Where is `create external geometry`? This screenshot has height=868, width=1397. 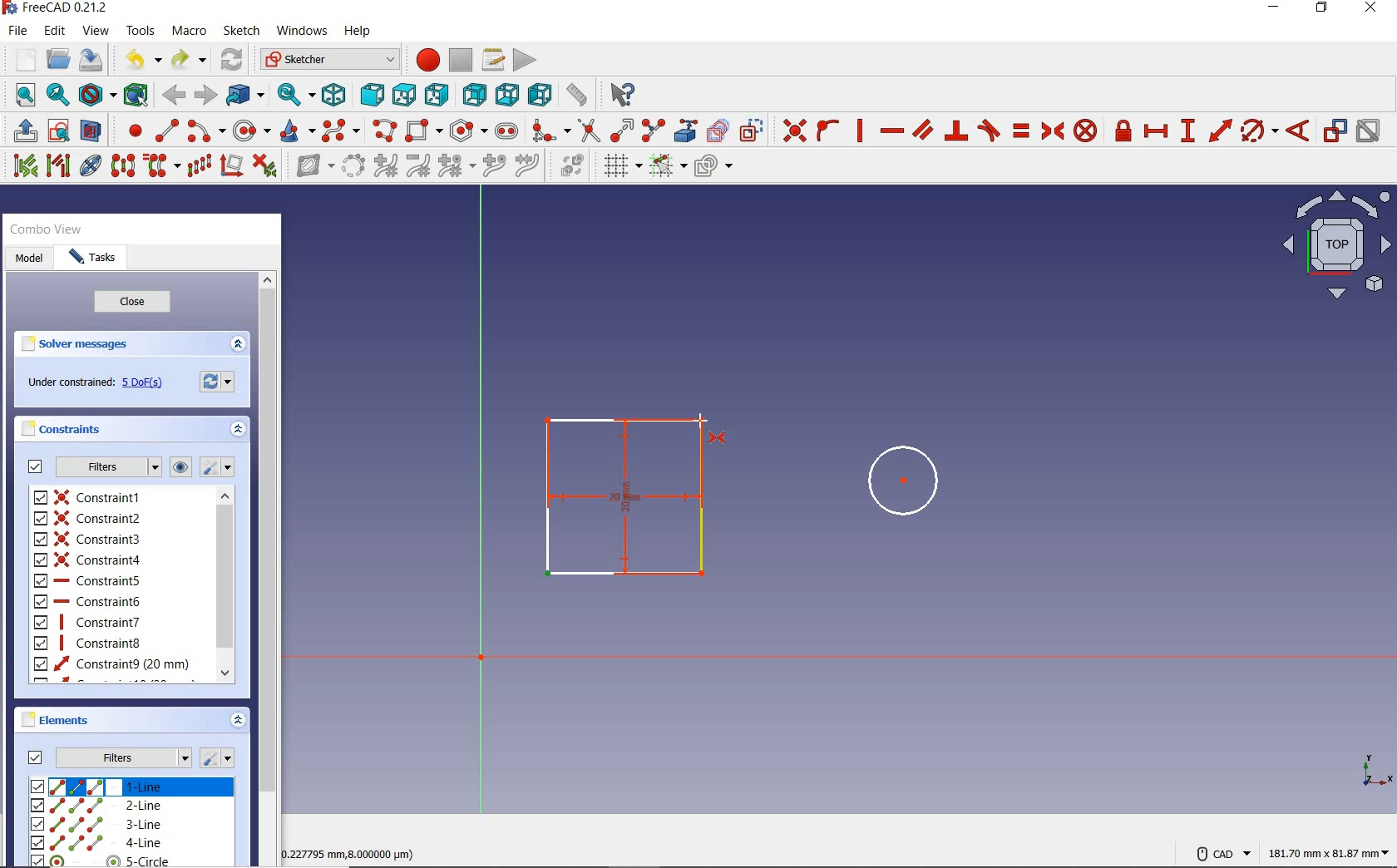 create external geometry is located at coordinates (688, 131).